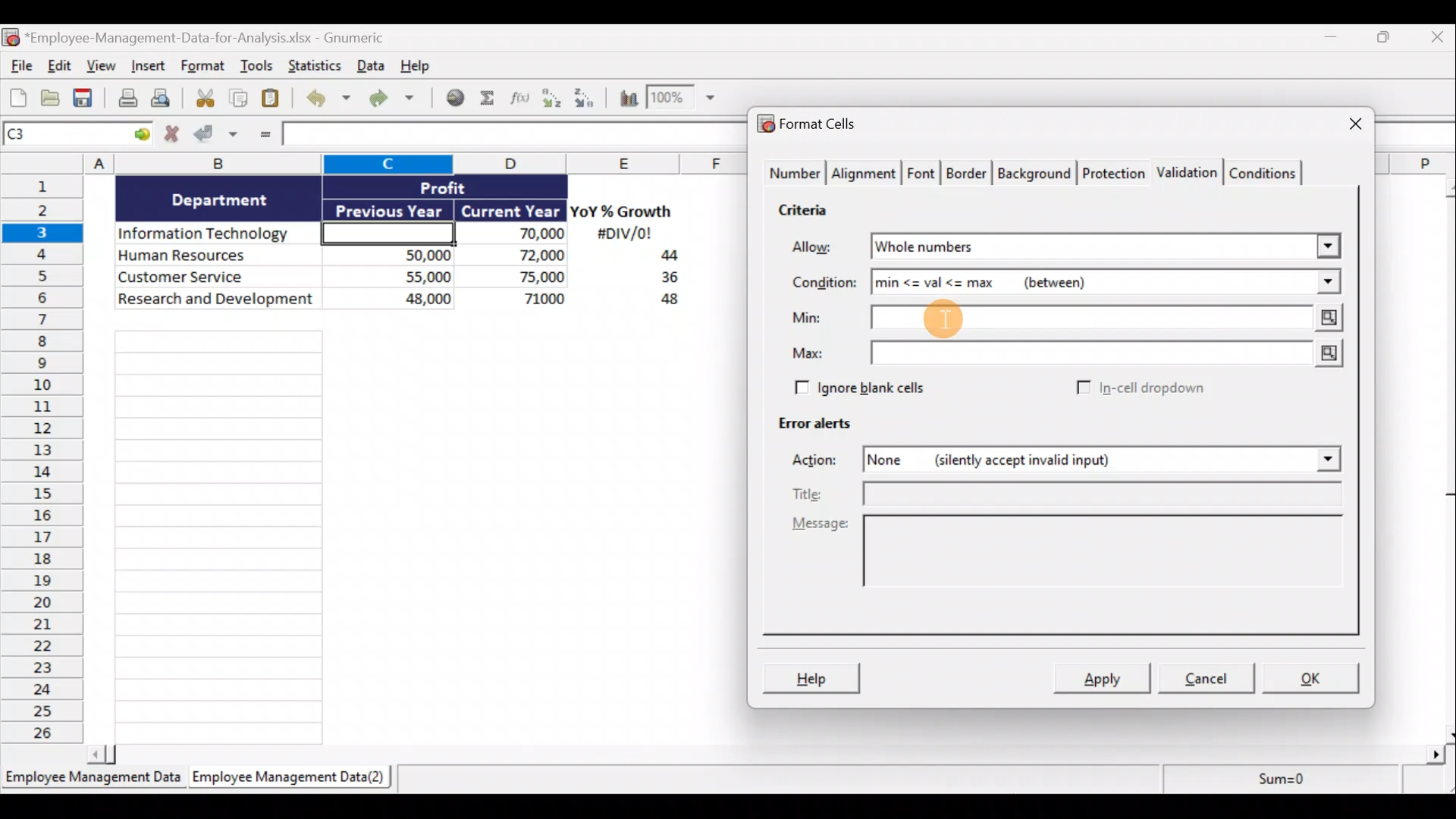  I want to click on Actions, so click(823, 462).